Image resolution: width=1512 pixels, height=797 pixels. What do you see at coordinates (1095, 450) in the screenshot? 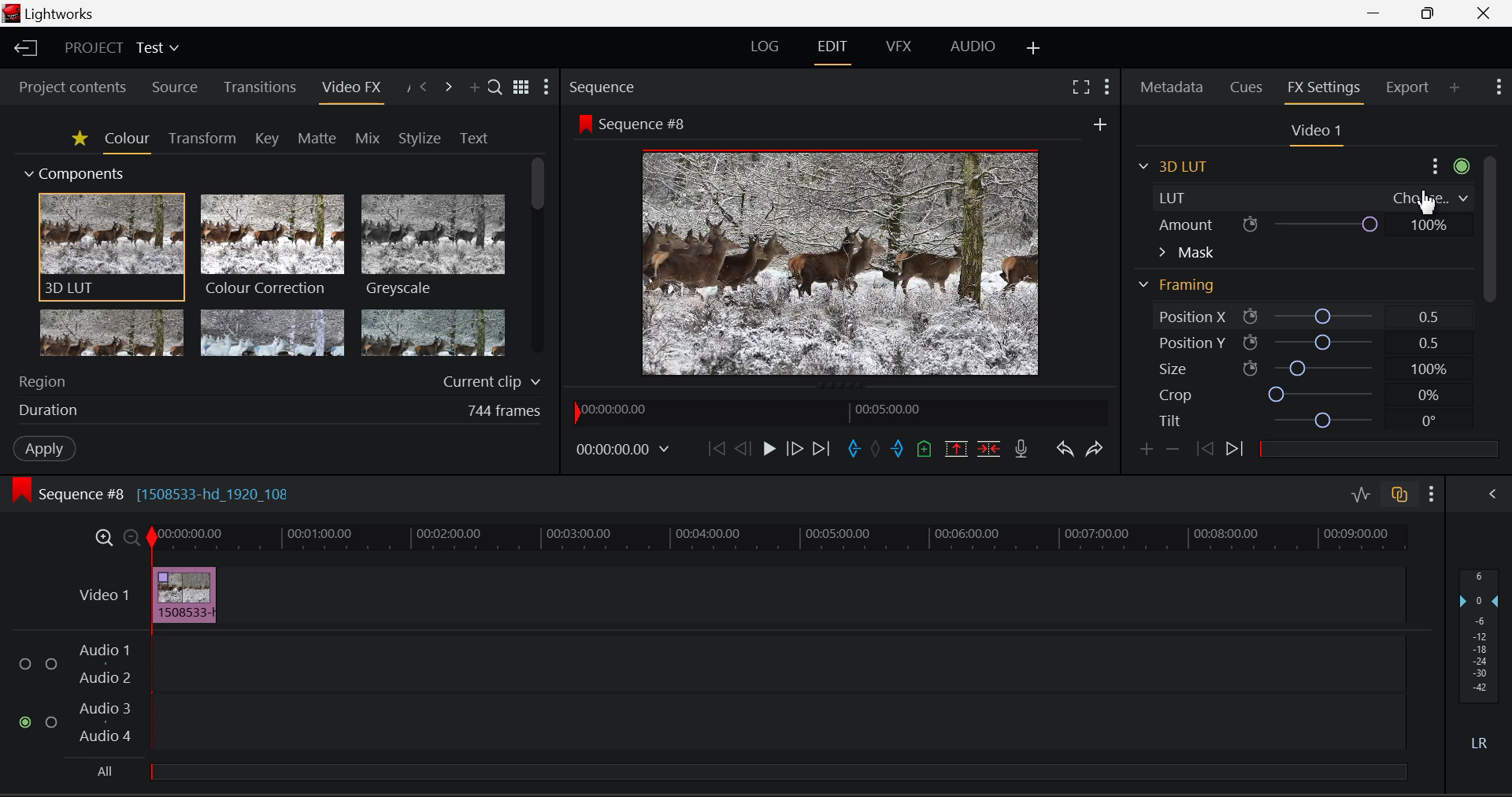
I see `Redo` at bounding box center [1095, 450].